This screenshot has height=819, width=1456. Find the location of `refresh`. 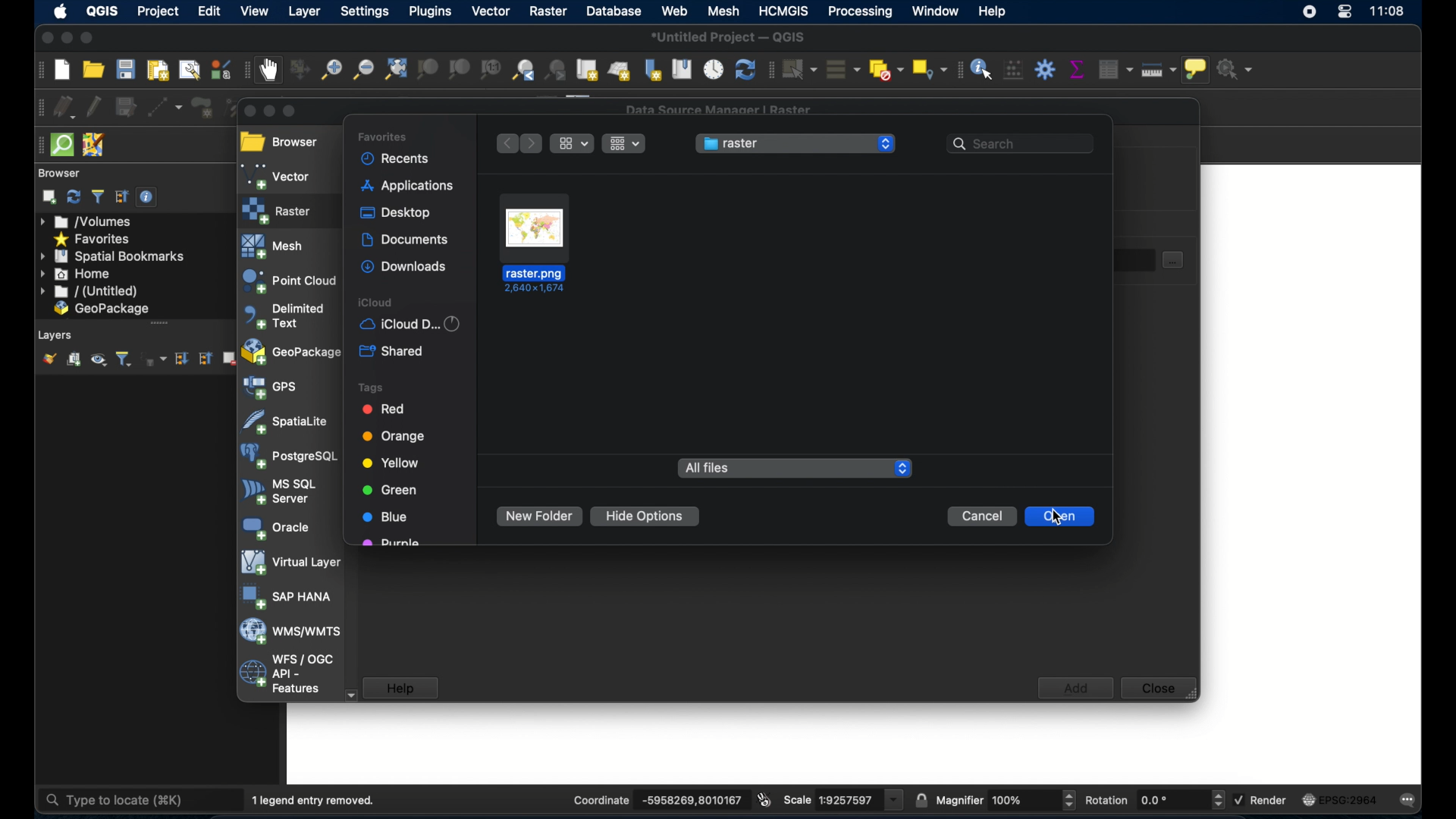

refresh is located at coordinates (745, 71).